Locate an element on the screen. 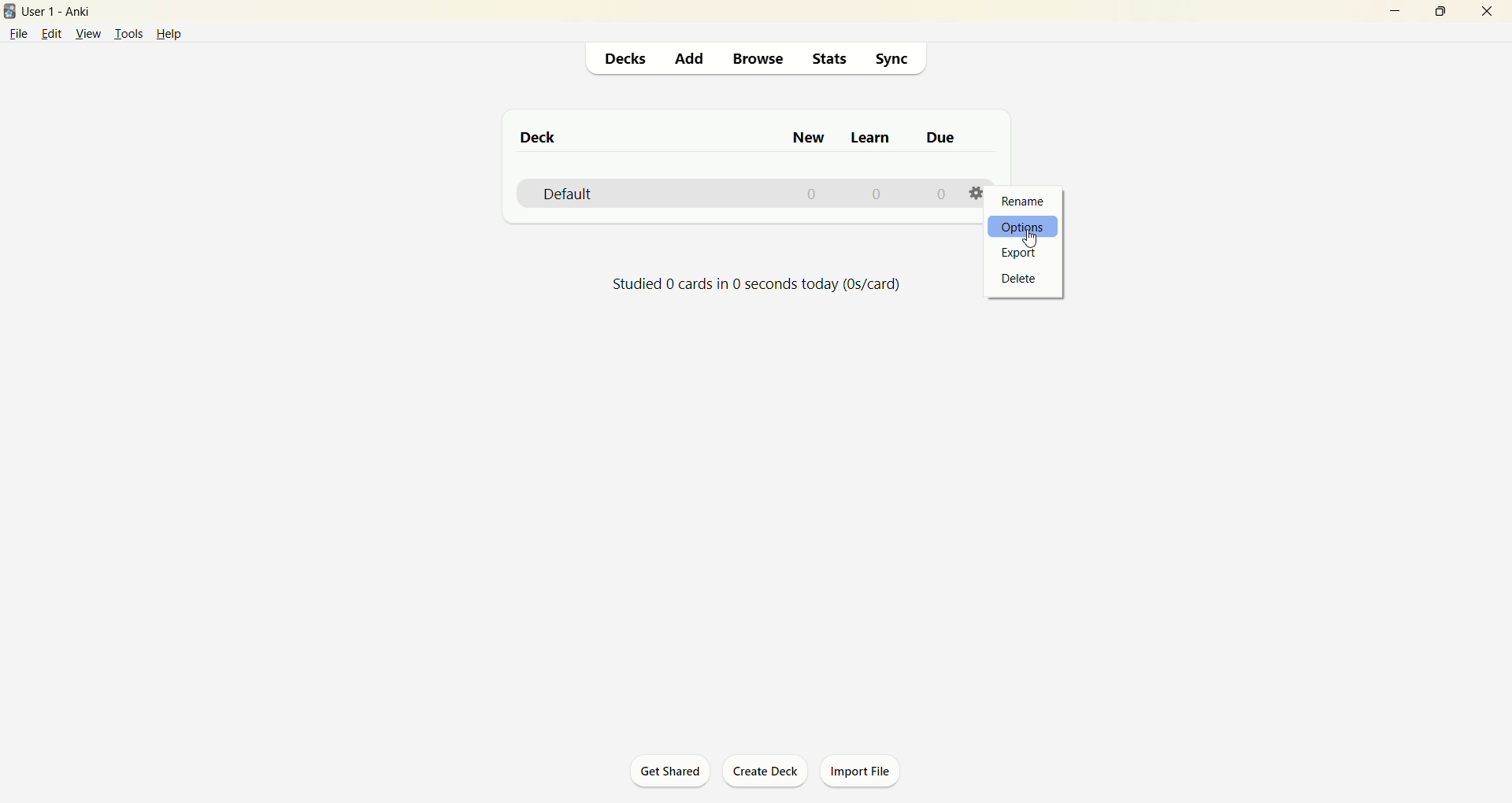  close is located at coordinates (1488, 13).